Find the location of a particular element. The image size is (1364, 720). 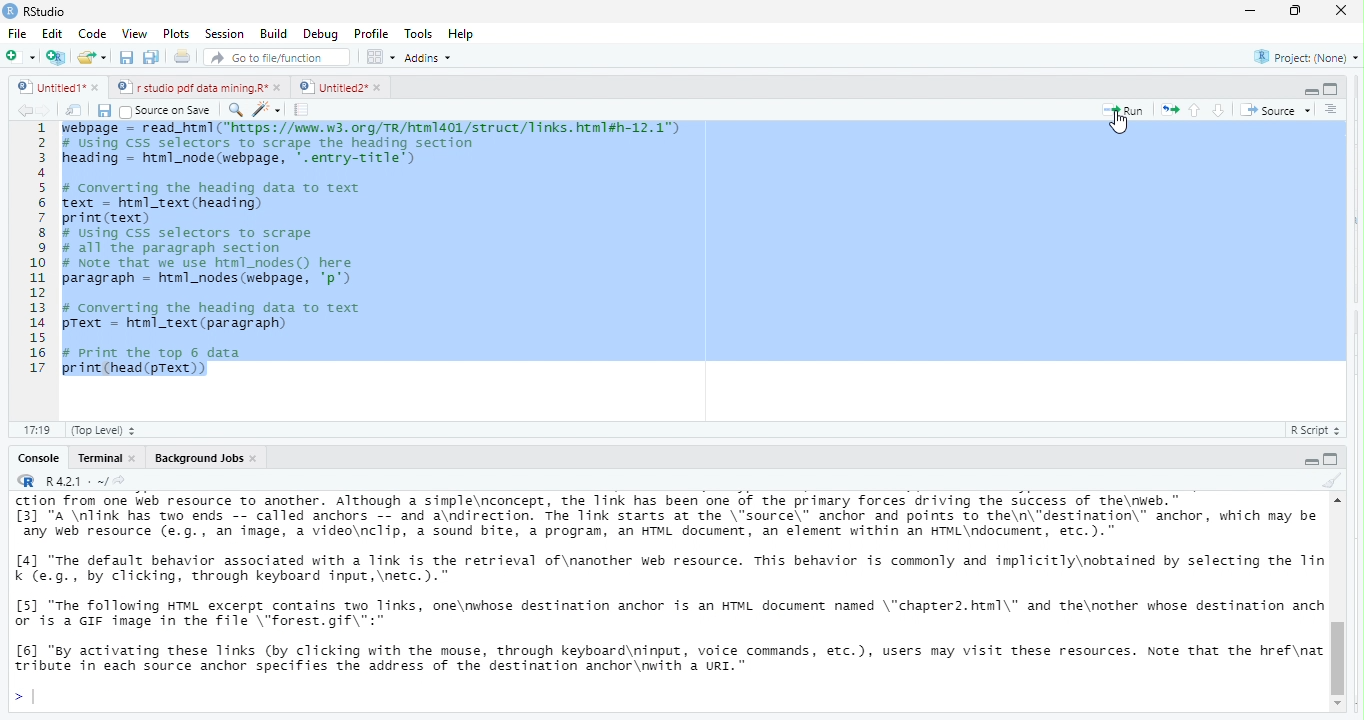

close is located at coordinates (98, 89).